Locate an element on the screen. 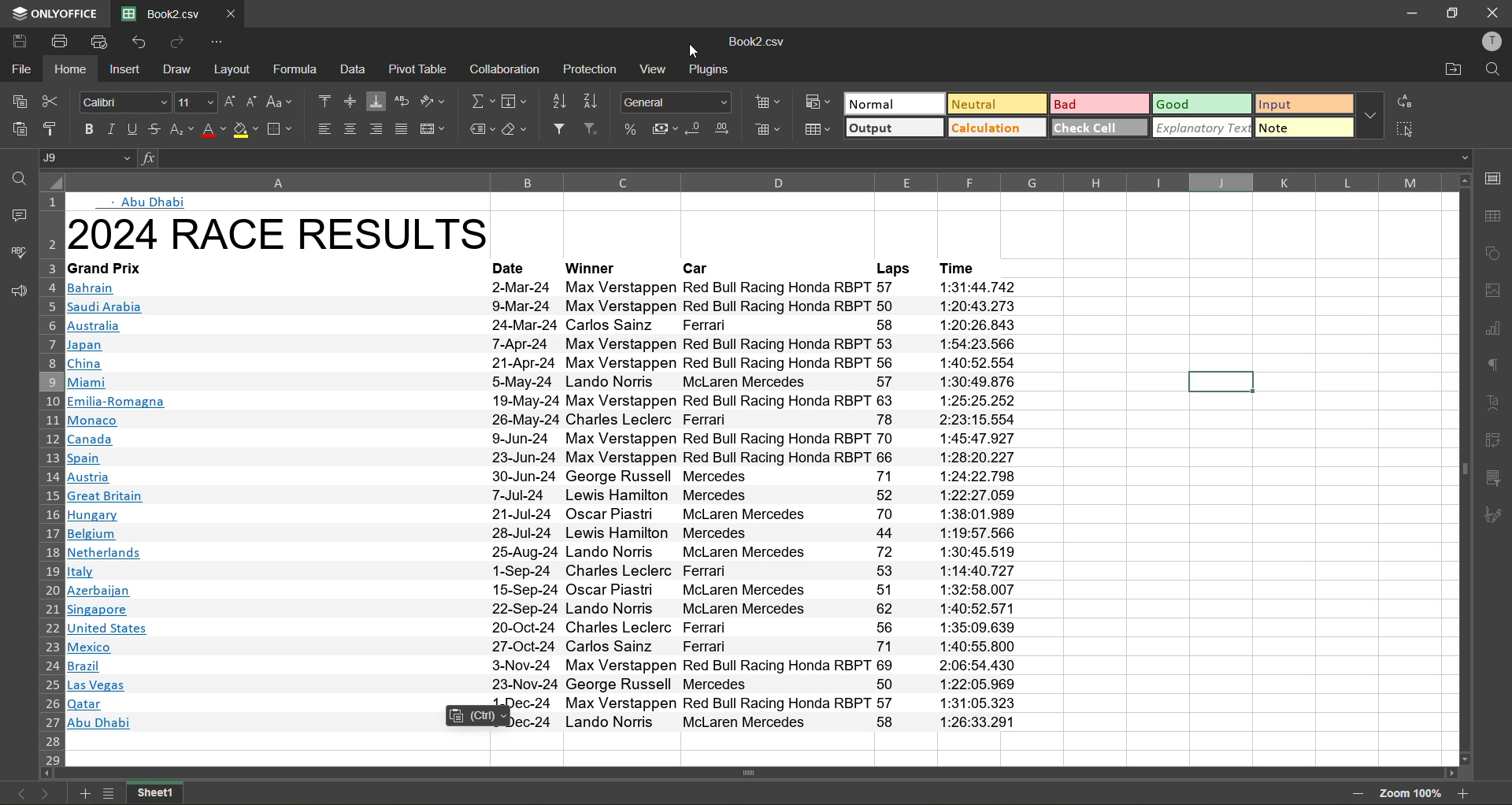  text info is located at coordinates (552, 287).